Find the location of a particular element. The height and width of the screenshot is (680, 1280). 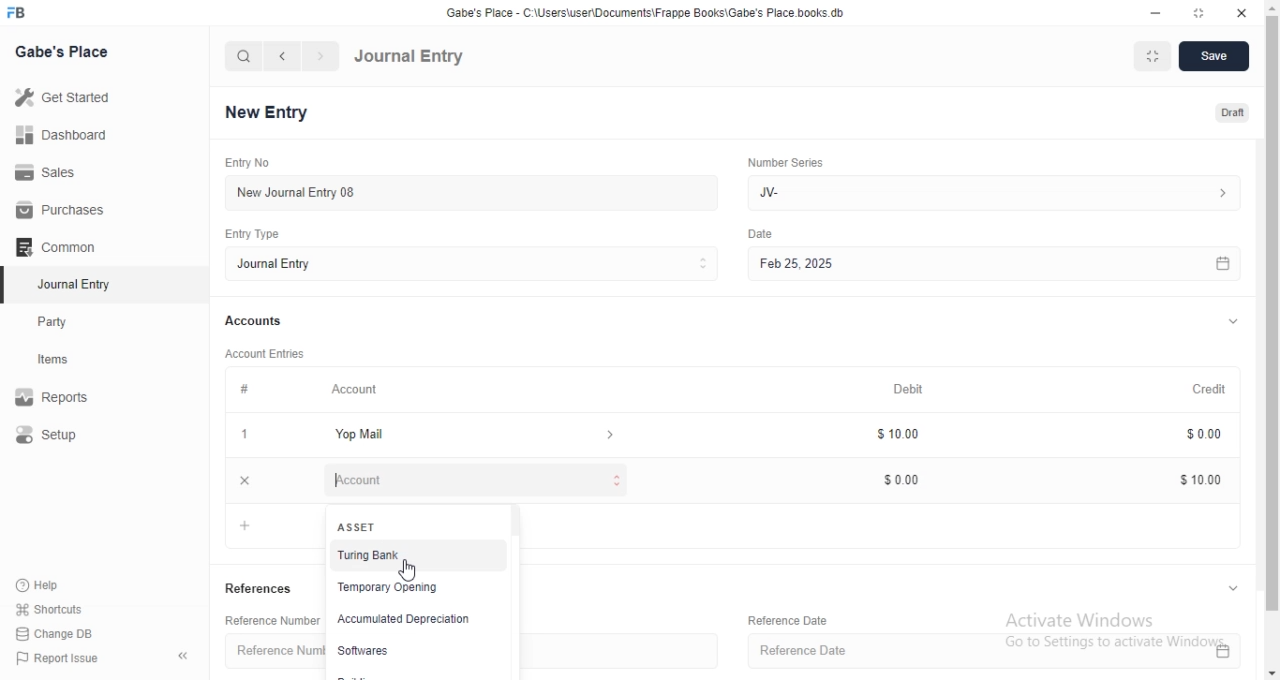

Account is located at coordinates (358, 391).